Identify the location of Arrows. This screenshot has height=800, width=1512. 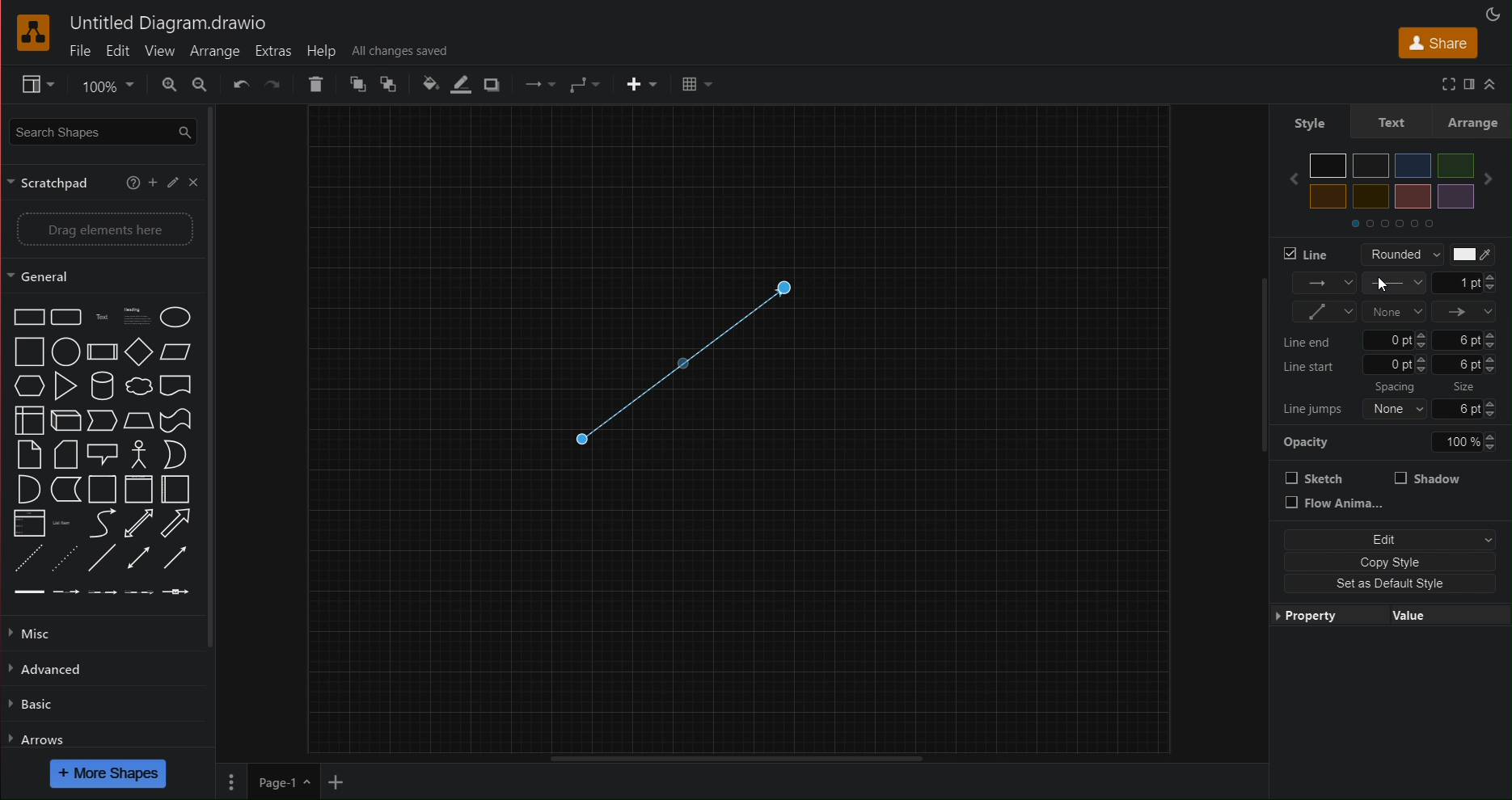
(38, 739).